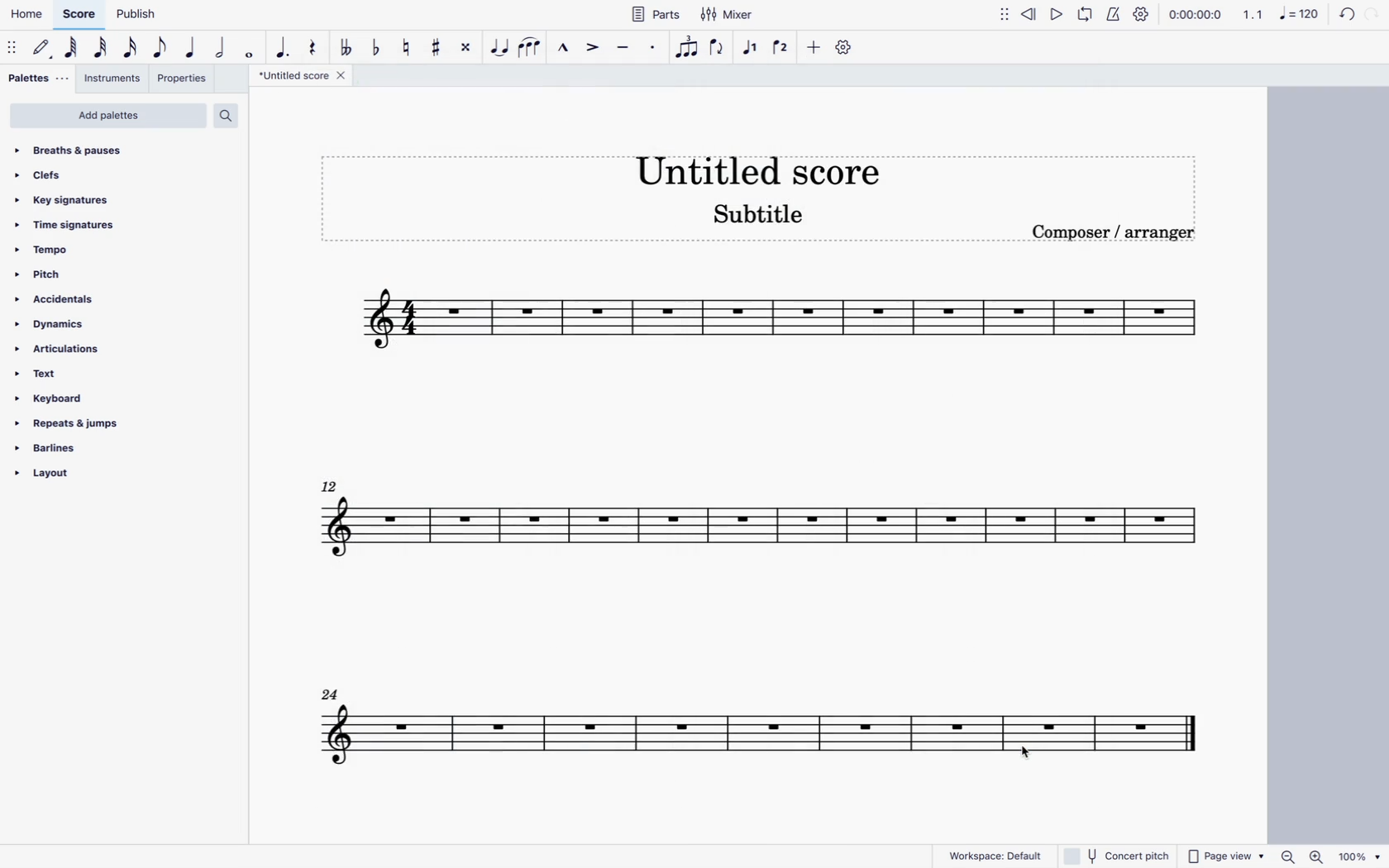 The image size is (1389, 868). I want to click on clefs, so click(55, 176).